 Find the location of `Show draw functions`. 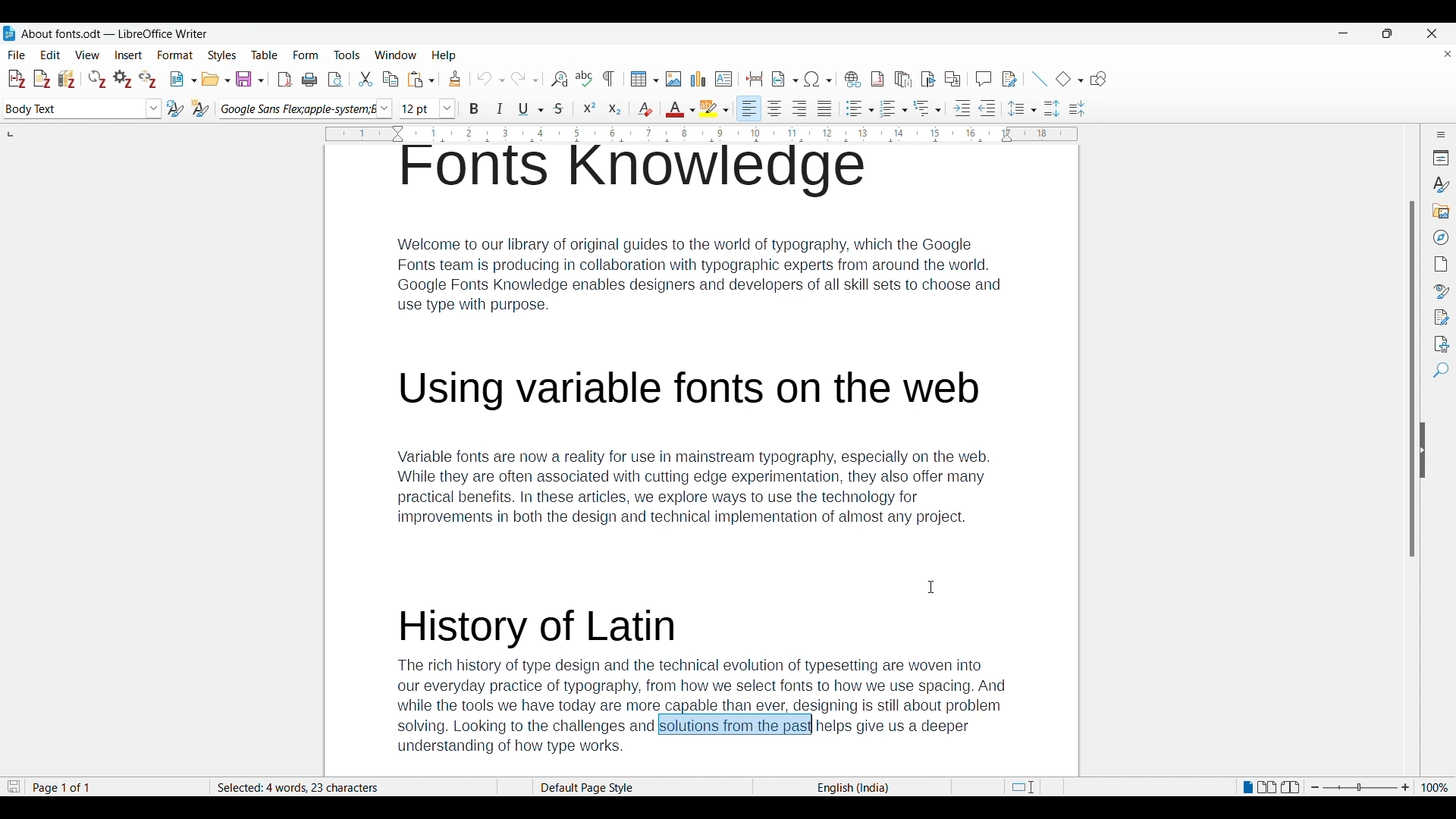

Show draw functions is located at coordinates (1099, 79).